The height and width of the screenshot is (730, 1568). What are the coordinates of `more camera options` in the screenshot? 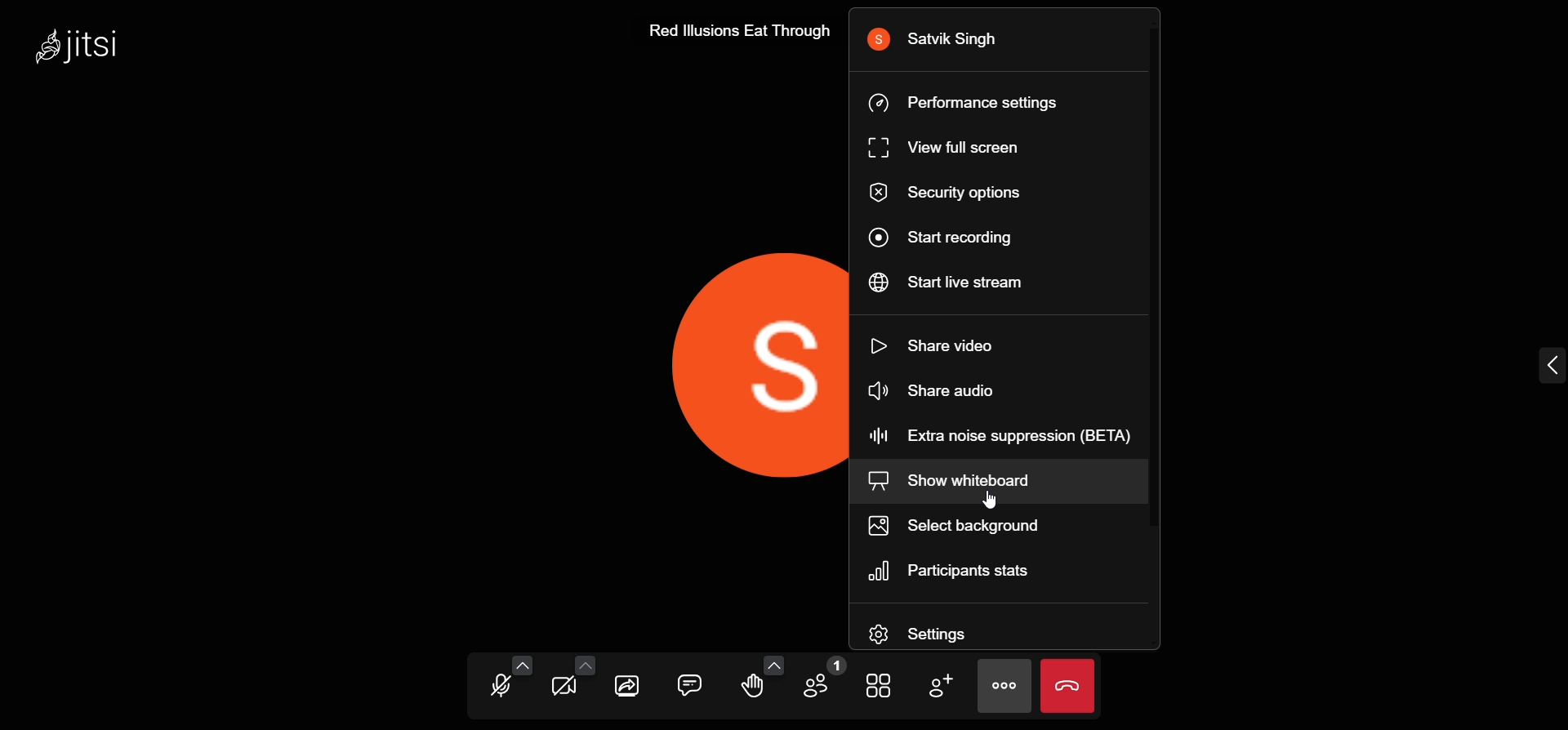 It's located at (584, 664).